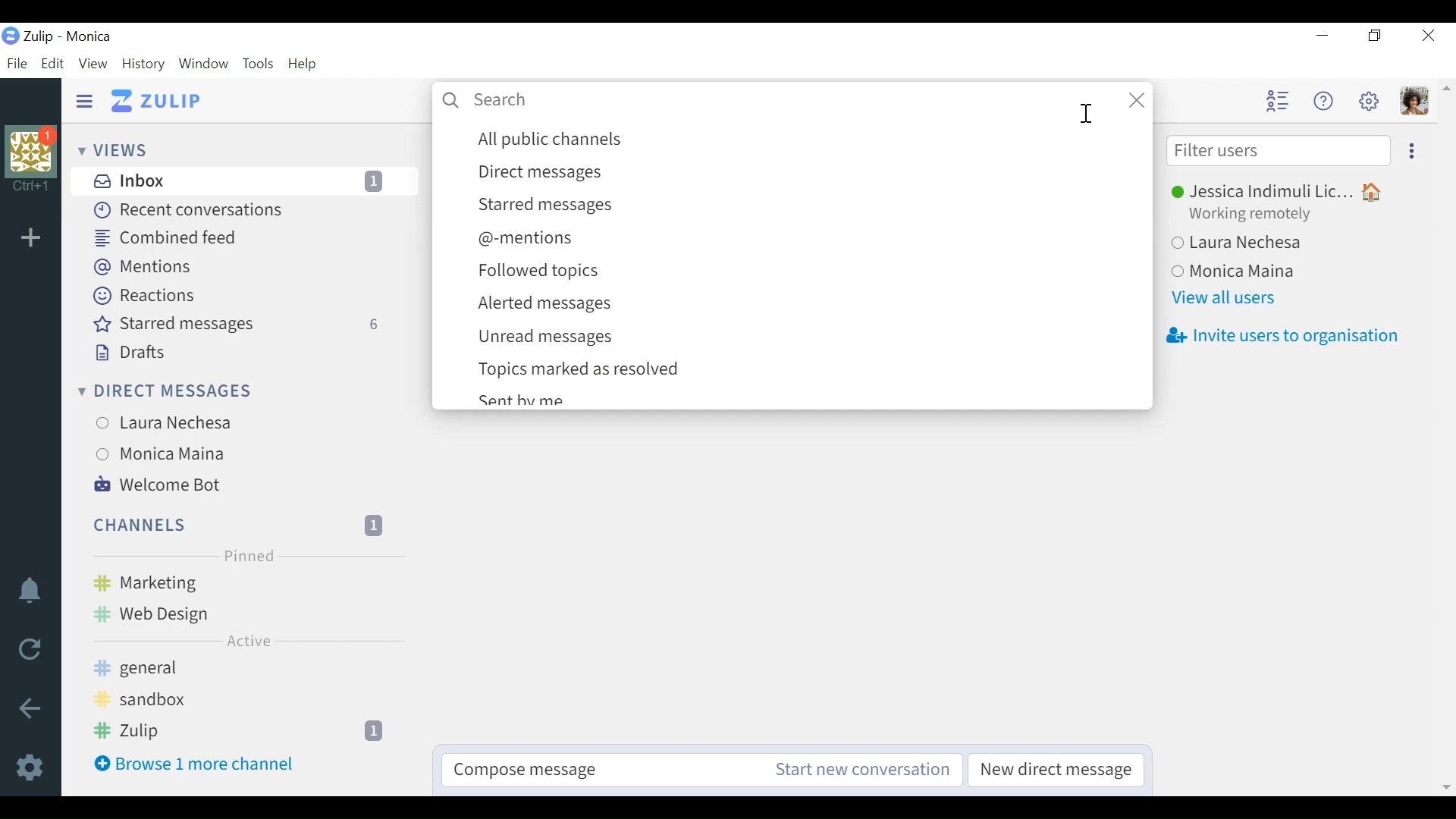  Describe the element at coordinates (30, 768) in the screenshot. I see `Settings` at that location.